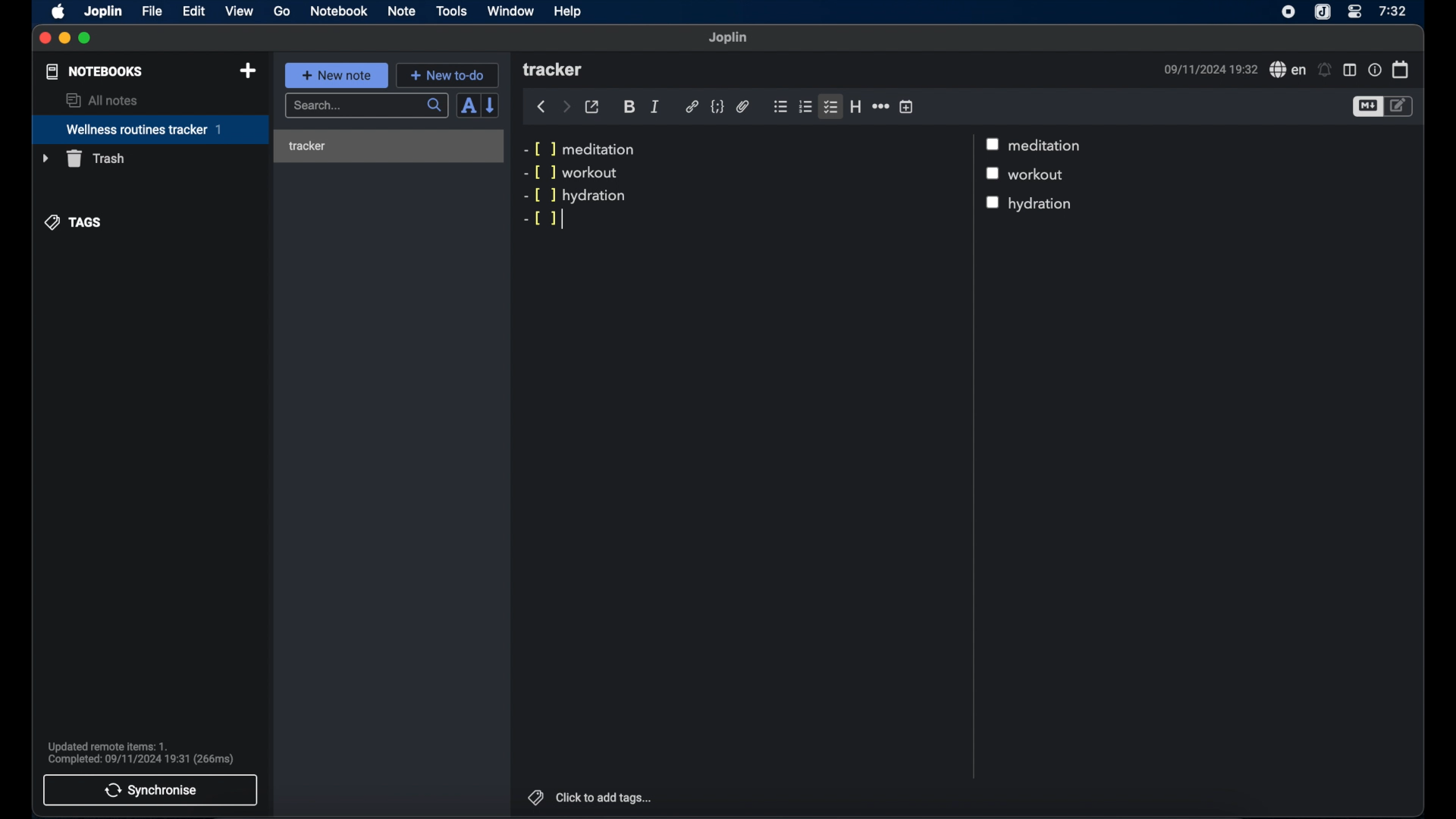 The height and width of the screenshot is (819, 1456). Describe the element at coordinates (717, 107) in the screenshot. I see `code` at that location.